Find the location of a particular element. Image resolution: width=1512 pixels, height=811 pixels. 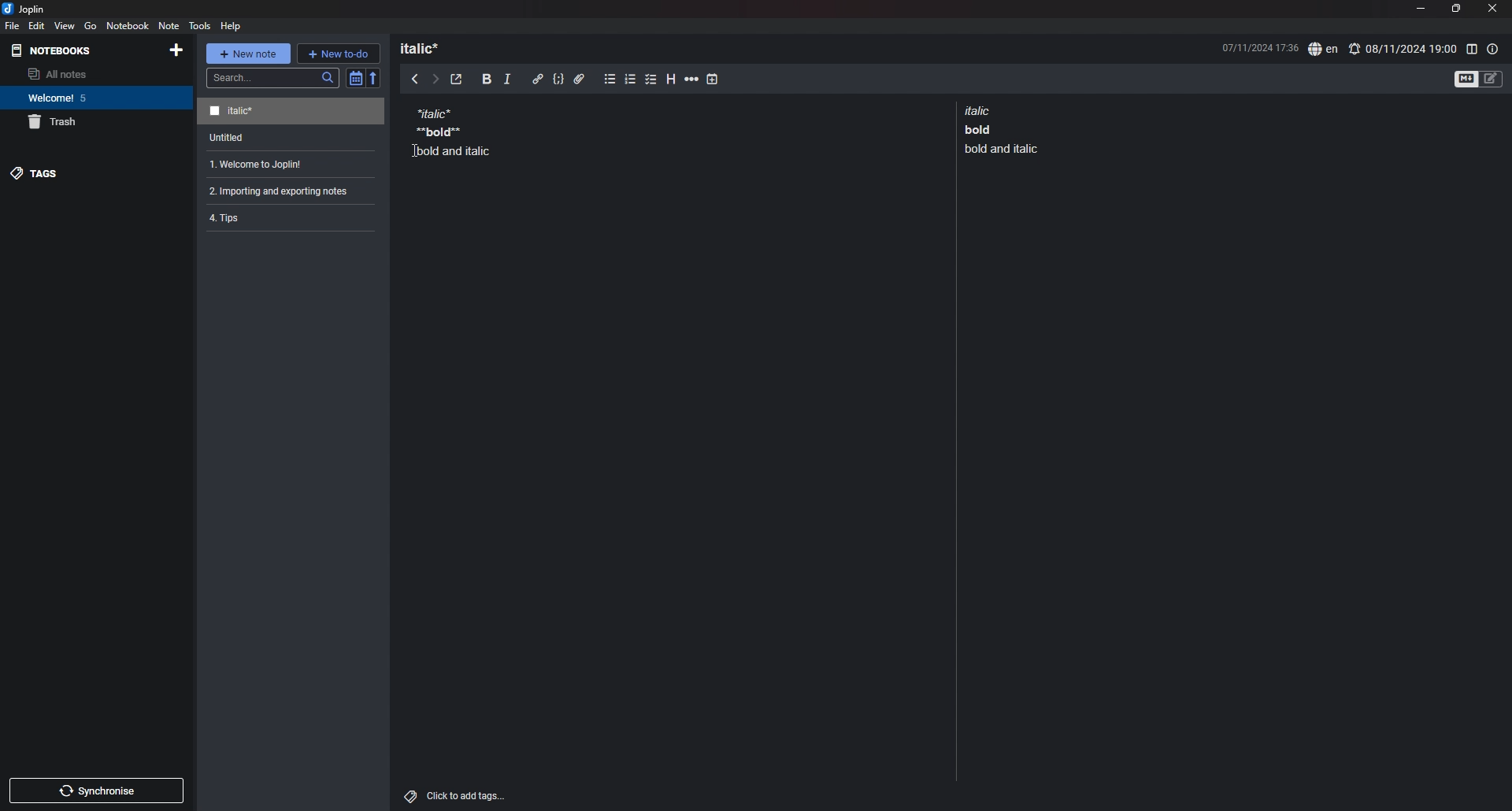

note is located at coordinates (454, 131).